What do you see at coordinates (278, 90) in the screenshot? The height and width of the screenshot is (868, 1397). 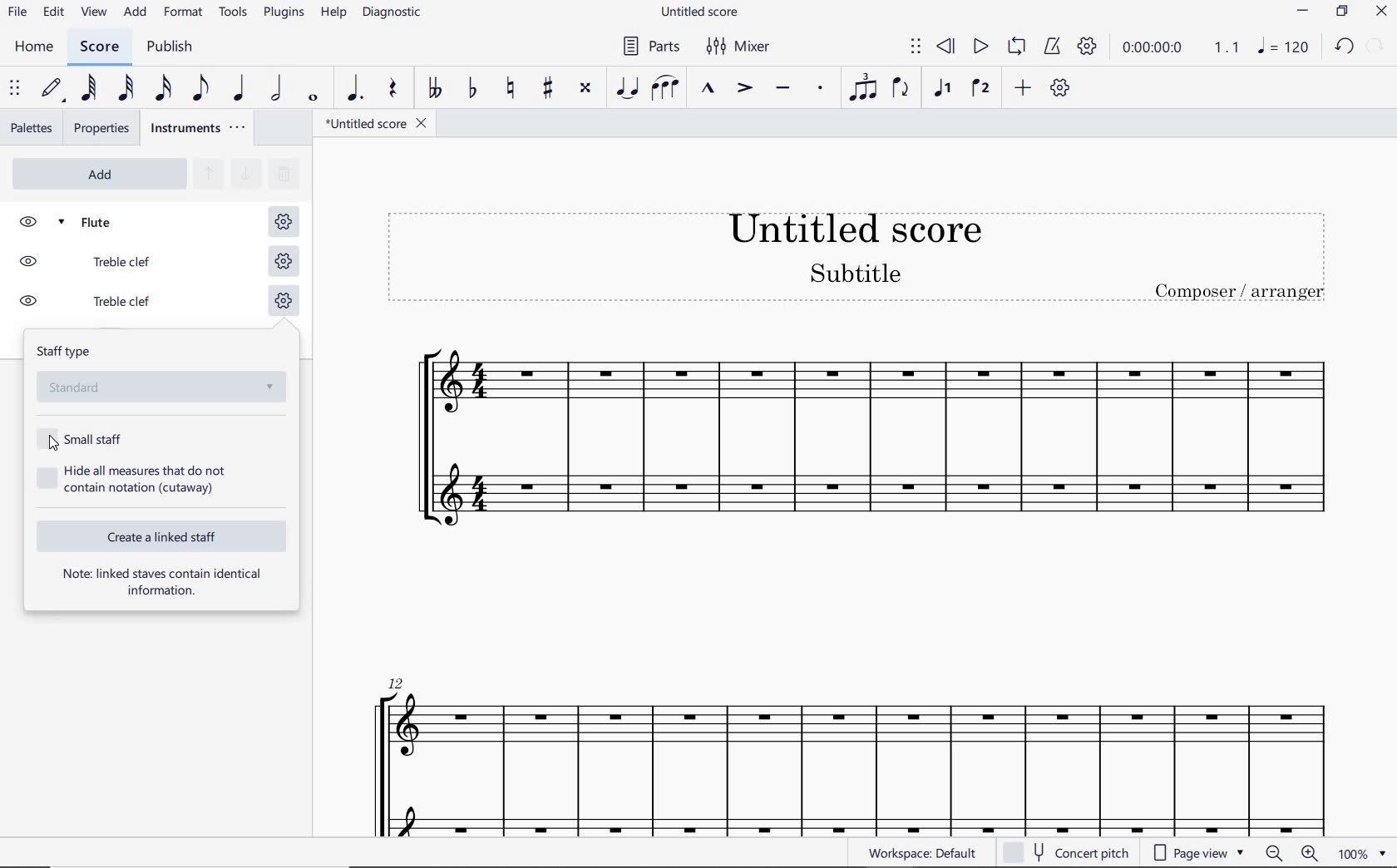 I see `HALF NOTE` at bounding box center [278, 90].